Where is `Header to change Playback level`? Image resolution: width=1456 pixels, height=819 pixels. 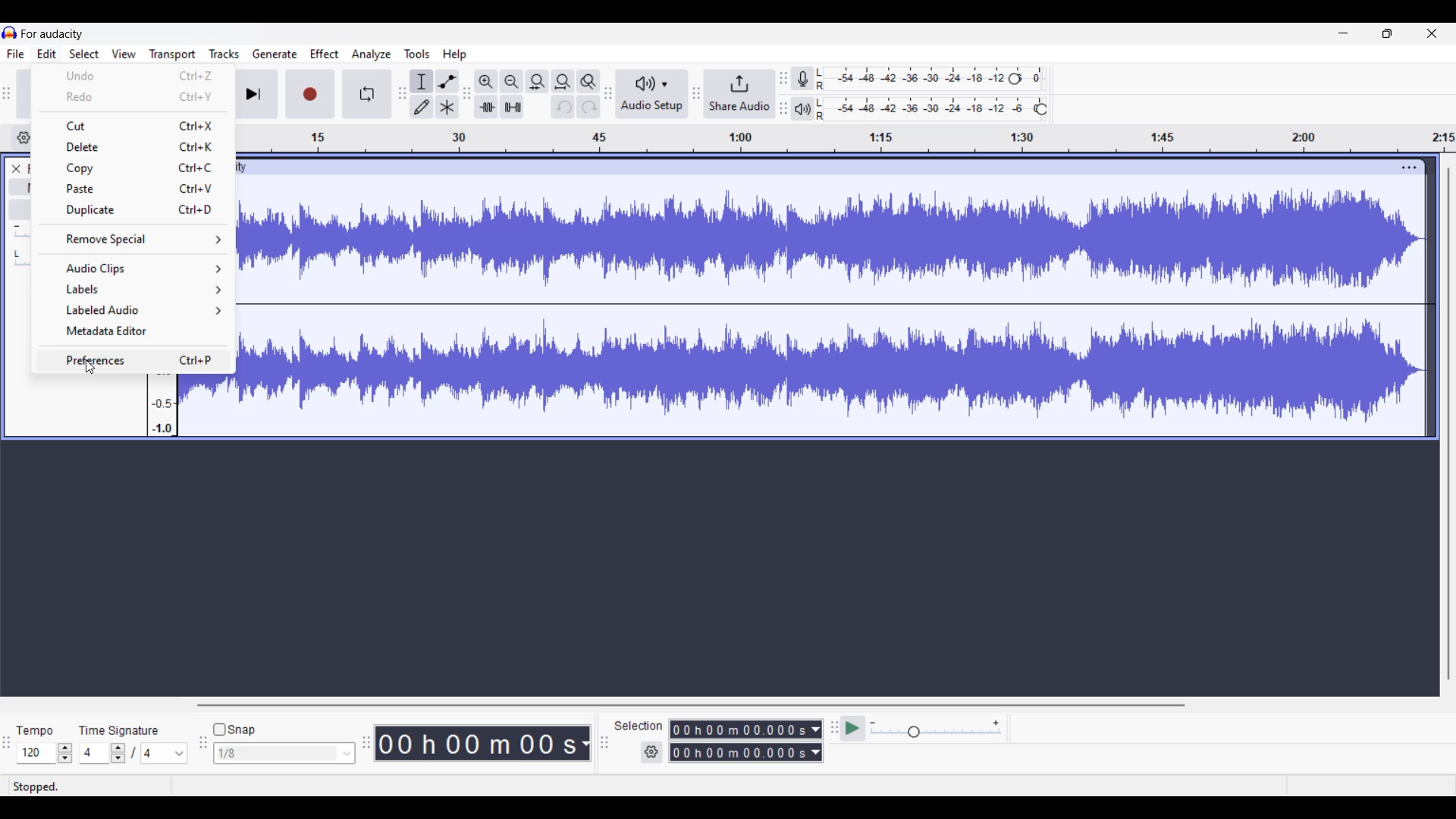
Header to change Playback level is located at coordinates (1041, 109).